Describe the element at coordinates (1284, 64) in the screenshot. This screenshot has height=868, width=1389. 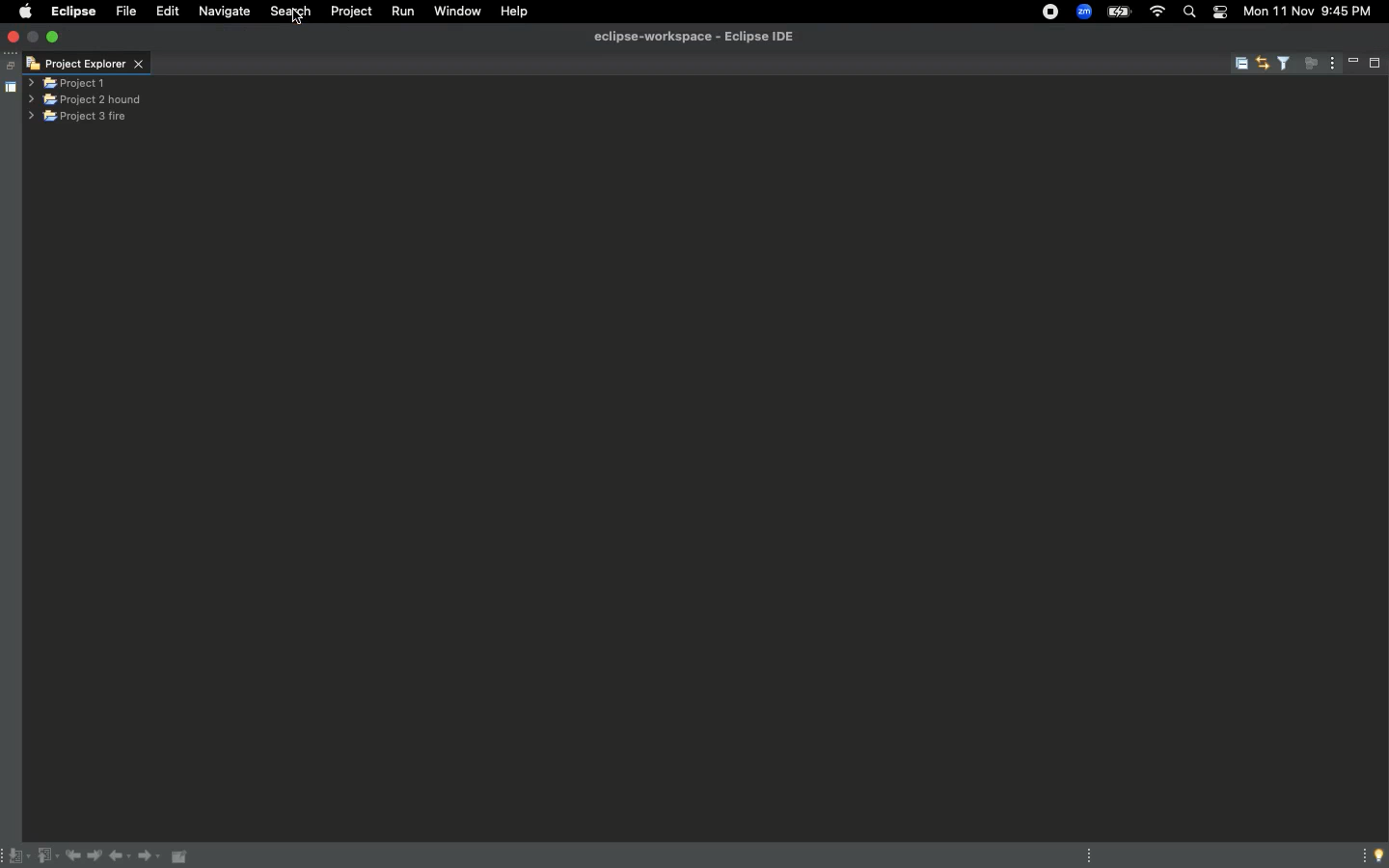
I see `Select and deselect filters ` at that location.